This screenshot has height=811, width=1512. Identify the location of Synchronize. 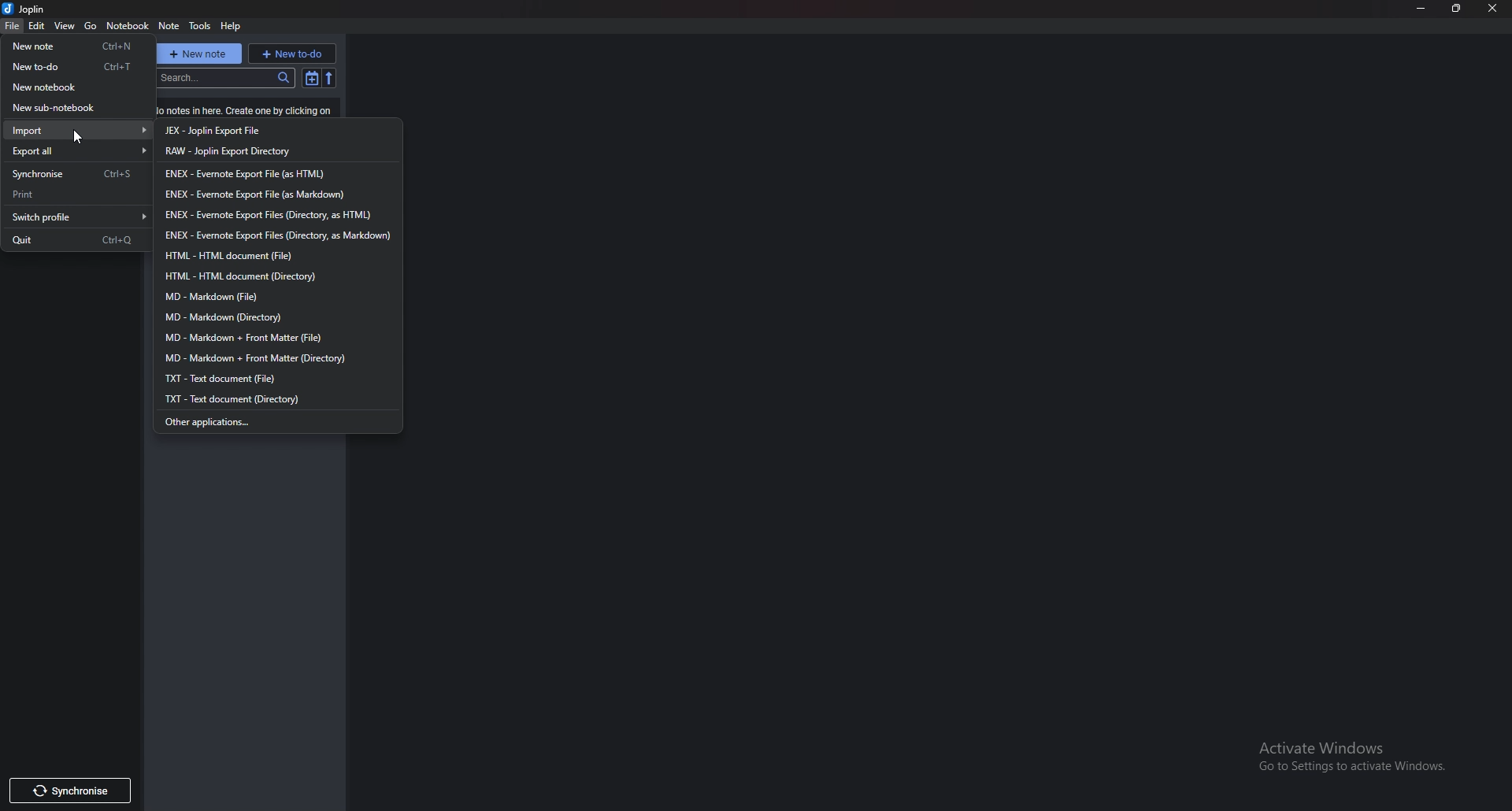
(73, 176).